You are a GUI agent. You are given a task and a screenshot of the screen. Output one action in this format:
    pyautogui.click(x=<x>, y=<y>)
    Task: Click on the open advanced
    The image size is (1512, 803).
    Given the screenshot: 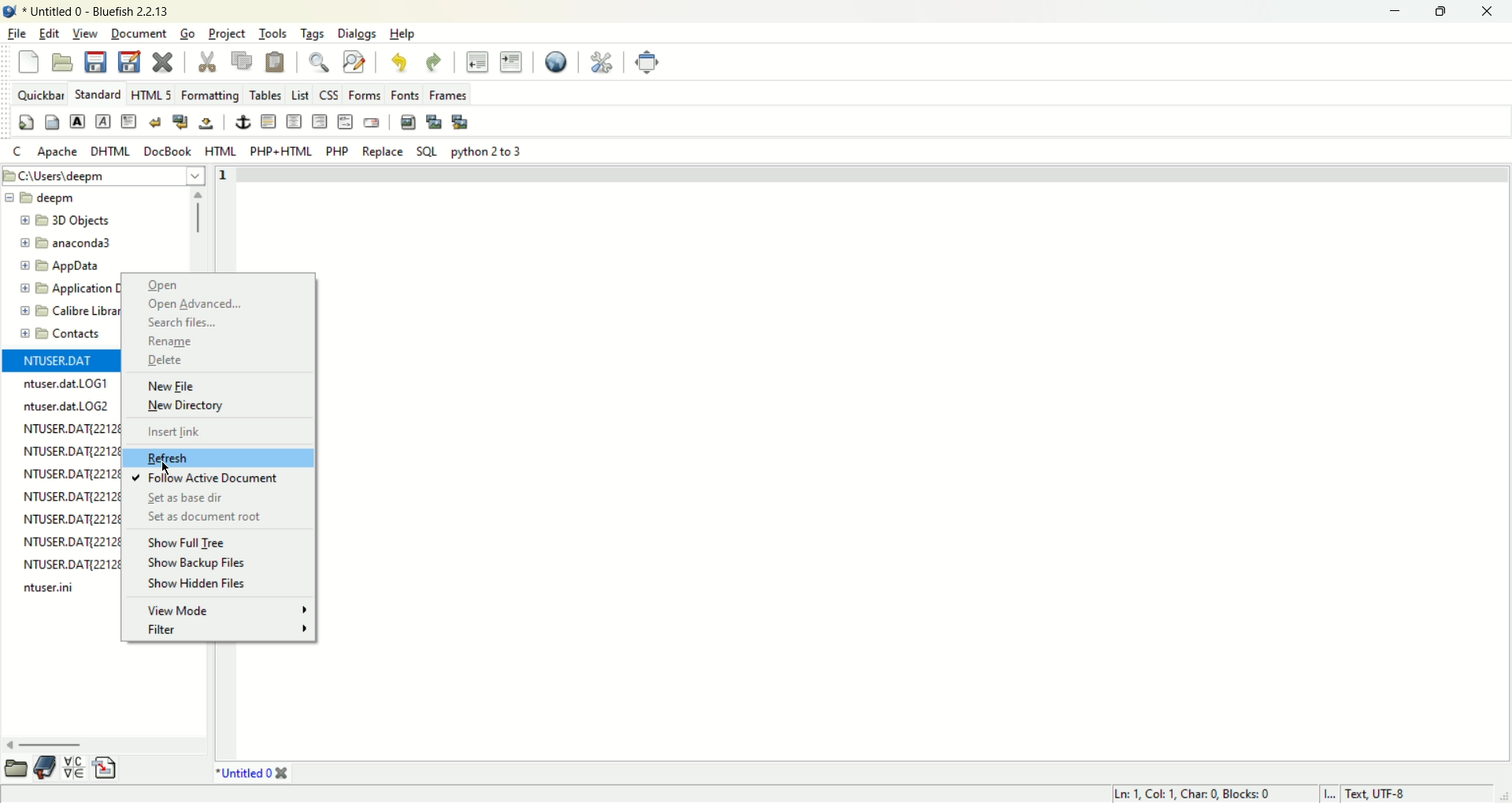 What is the action you would take?
    pyautogui.click(x=212, y=305)
    